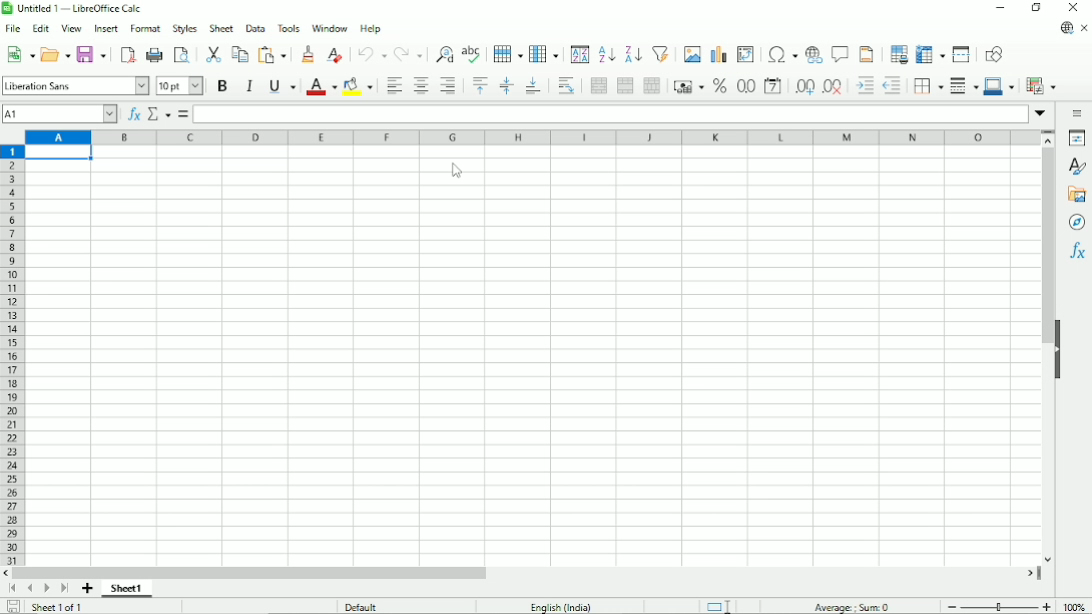 This screenshot has width=1092, height=614. What do you see at coordinates (773, 87) in the screenshot?
I see `Format as date` at bounding box center [773, 87].